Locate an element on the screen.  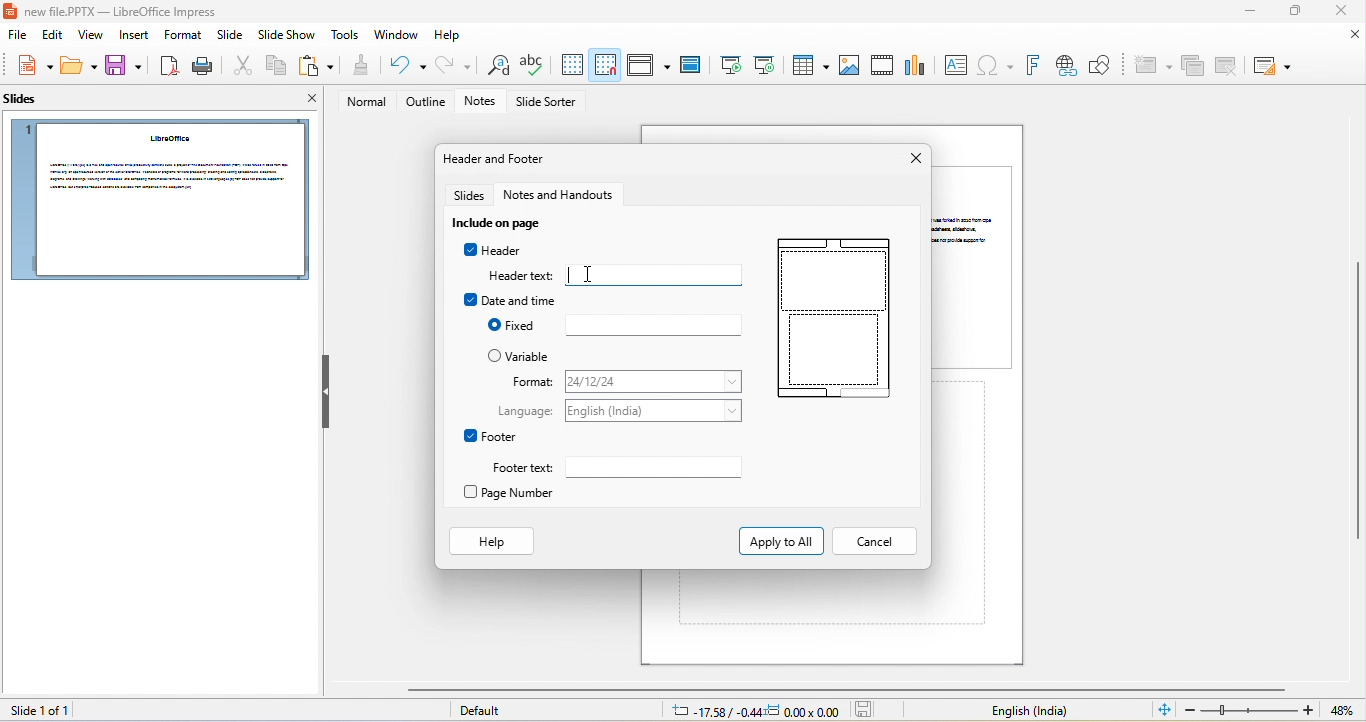
Header text: is located at coordinates (521, 276).